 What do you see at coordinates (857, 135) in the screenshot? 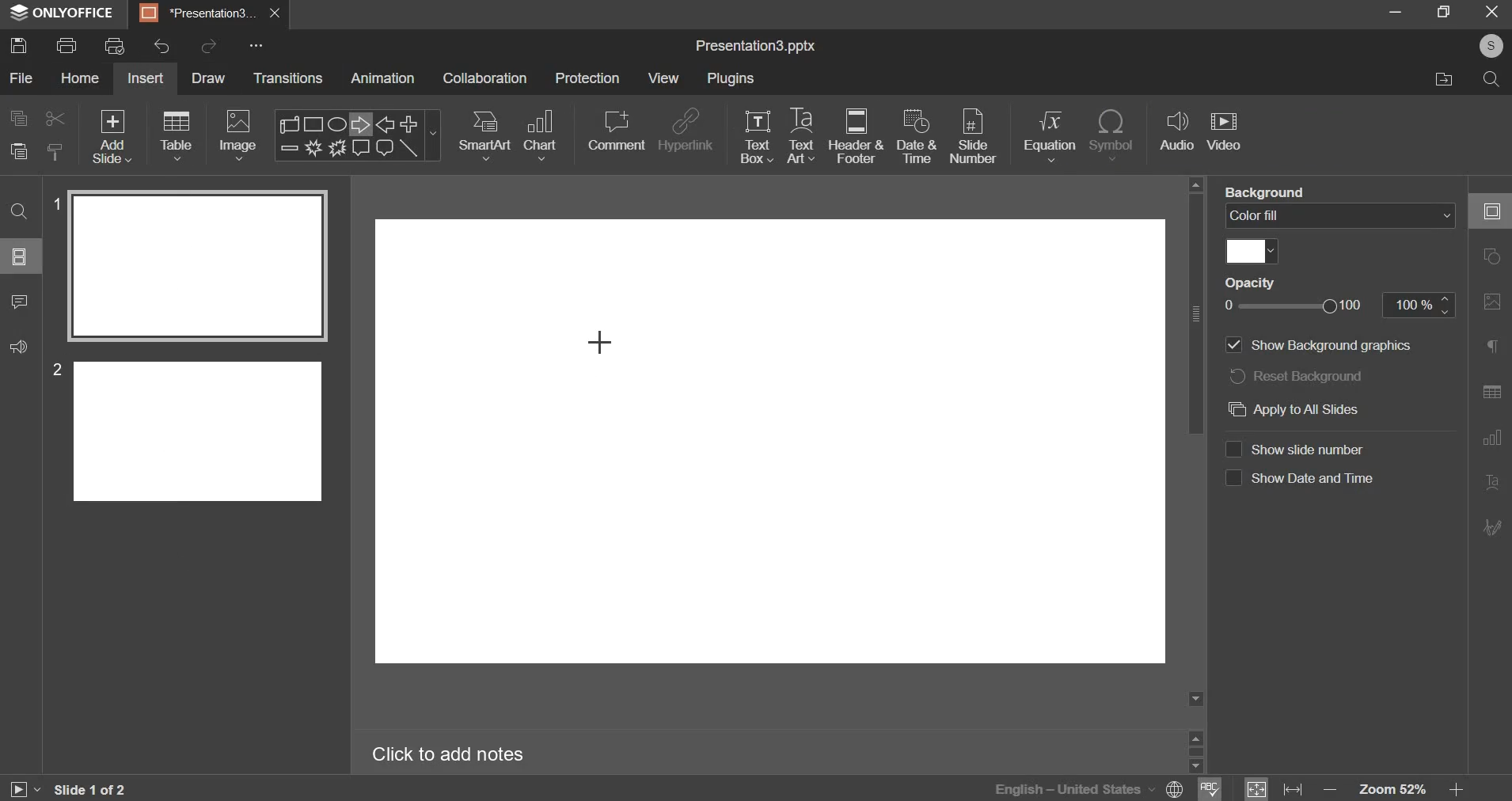
I see `header & footer` at bounding box center [857, 135].